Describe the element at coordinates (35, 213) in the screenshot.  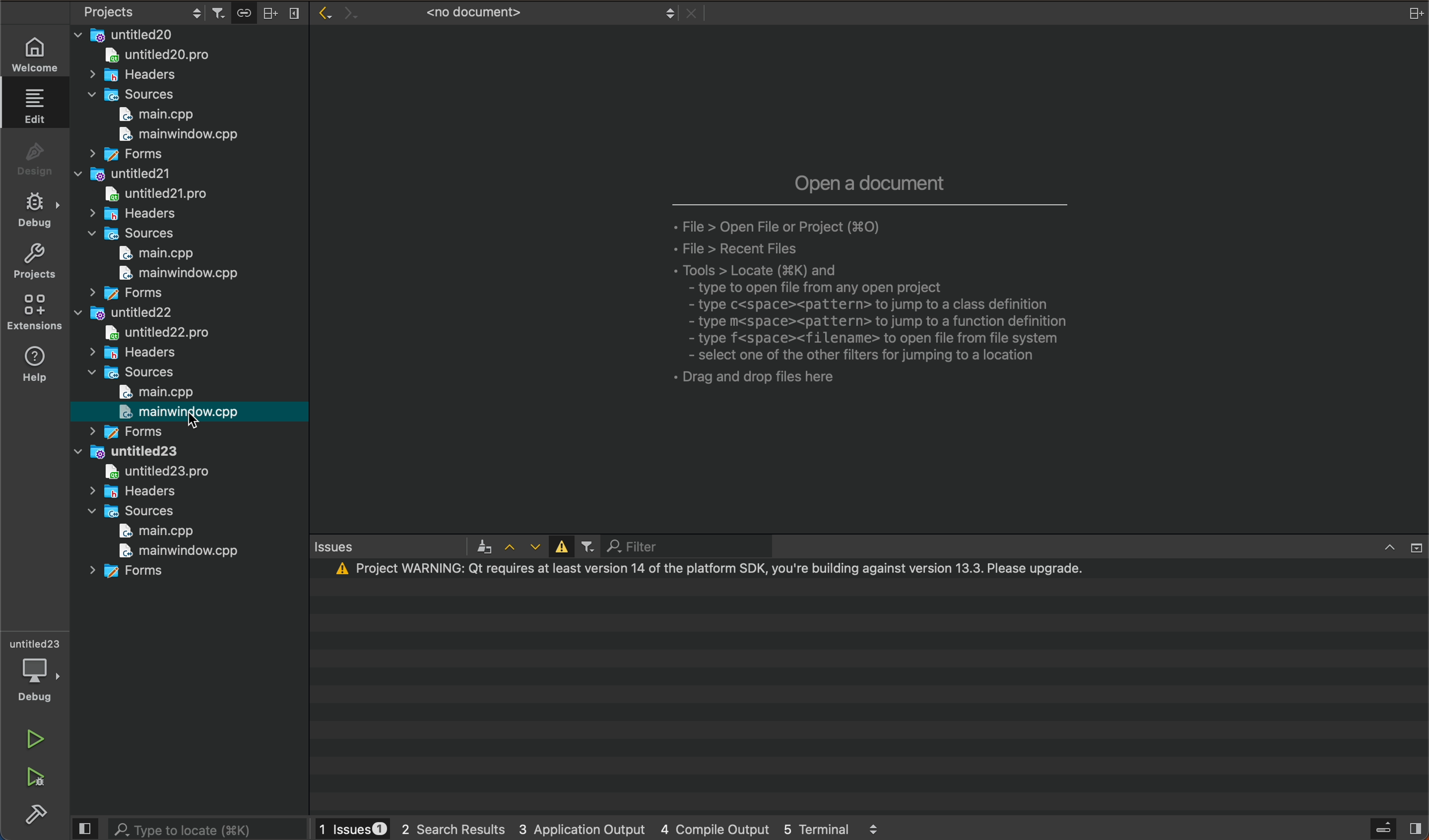
I see `debug` at that location.